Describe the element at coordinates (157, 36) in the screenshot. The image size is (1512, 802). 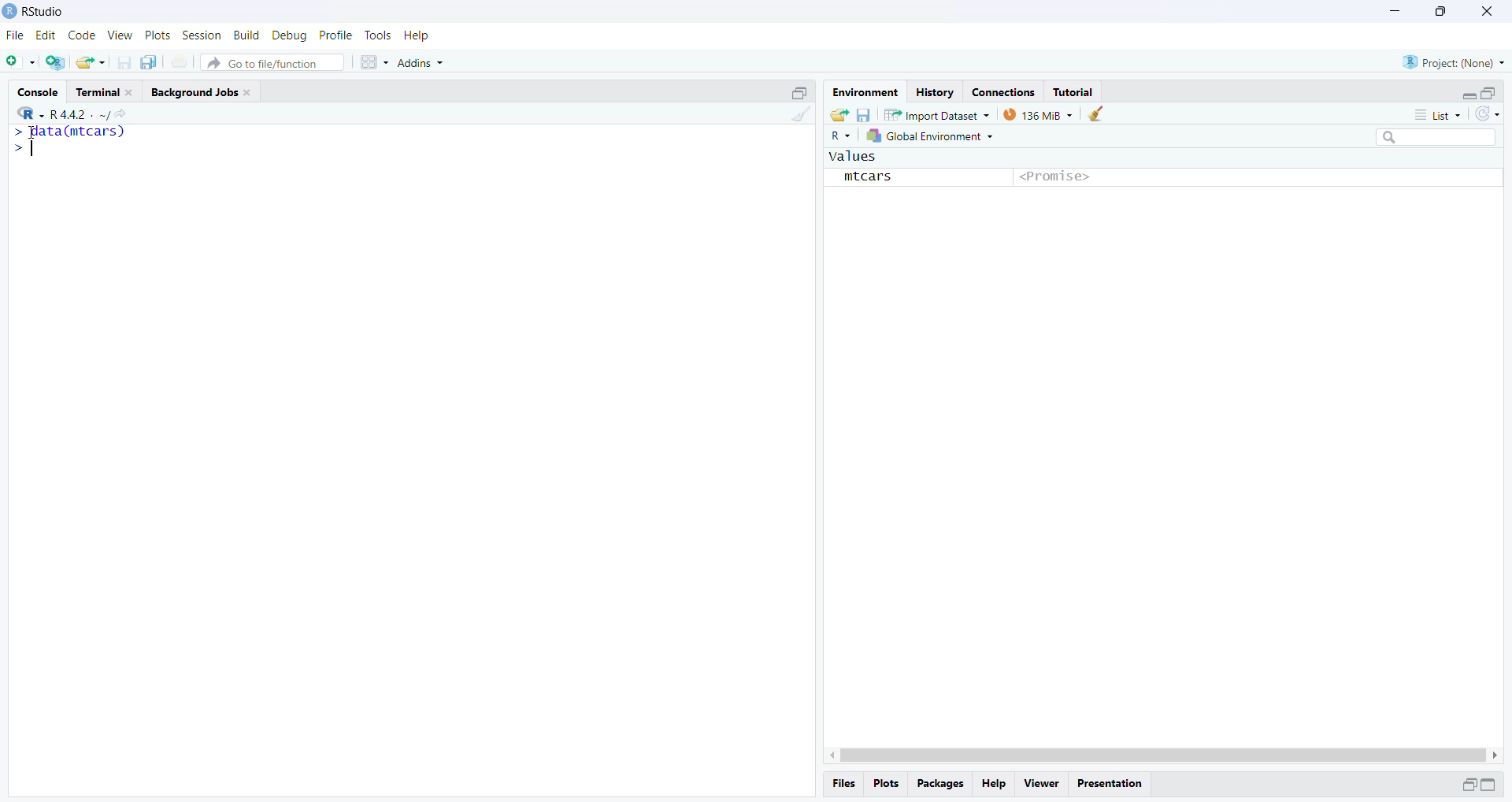
I see `Plots` at that location.